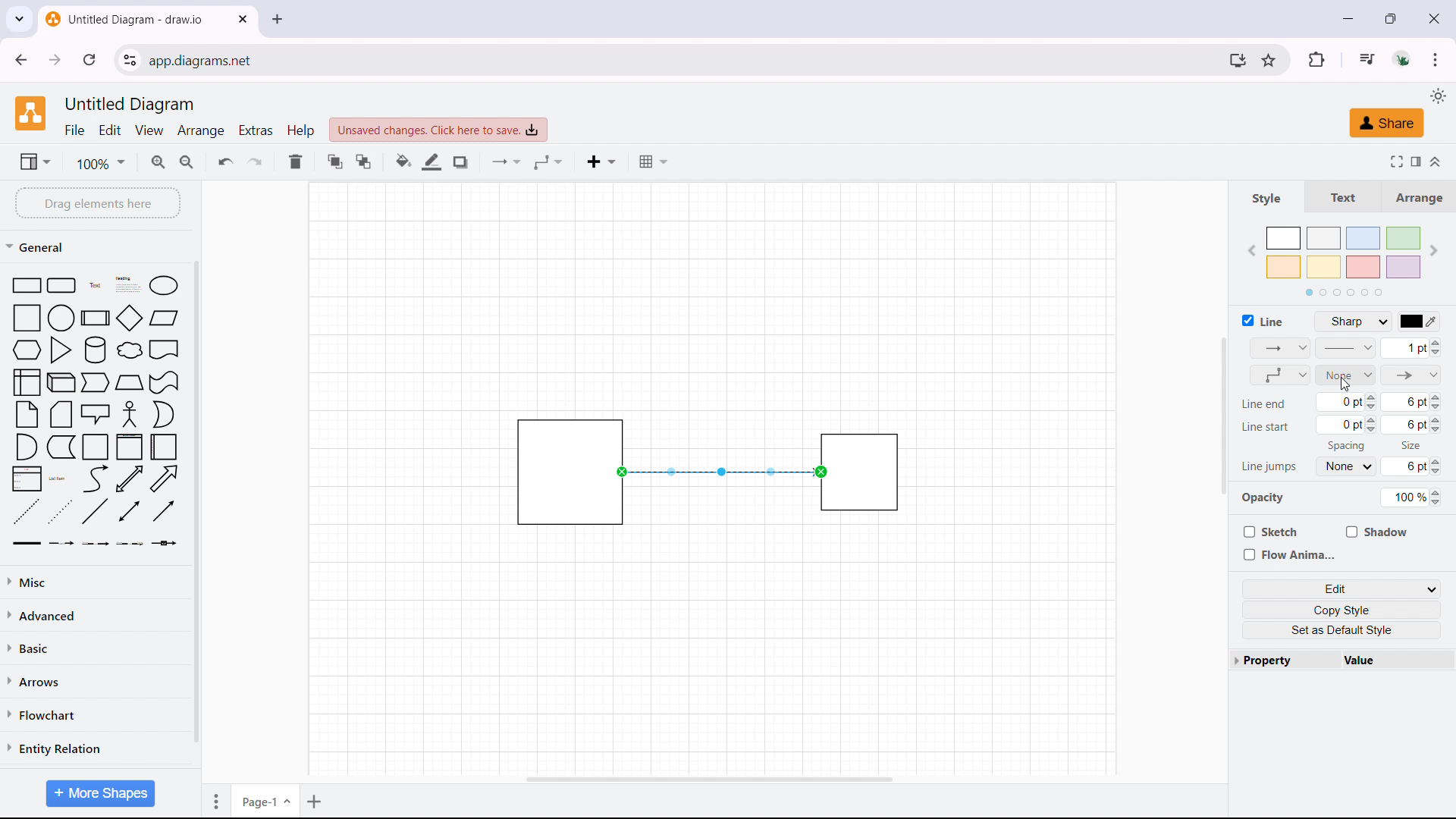 The image size is (1456, 819). I want to click on zoom level, so click(100, 163).